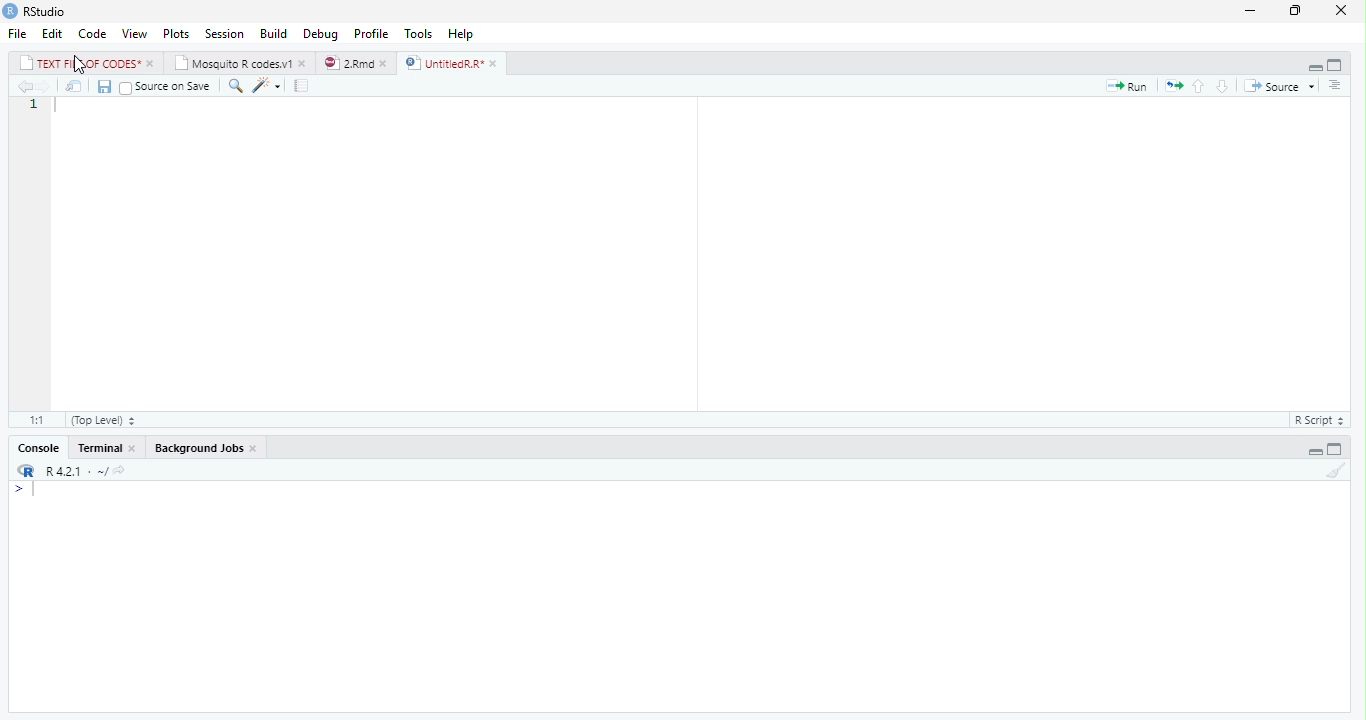 The width and height of the screenshot is (1366, 720). What do you see at coordinates (168, 87) in the screenshot?
I see `Source on Save` at bounding box center [168, 87].